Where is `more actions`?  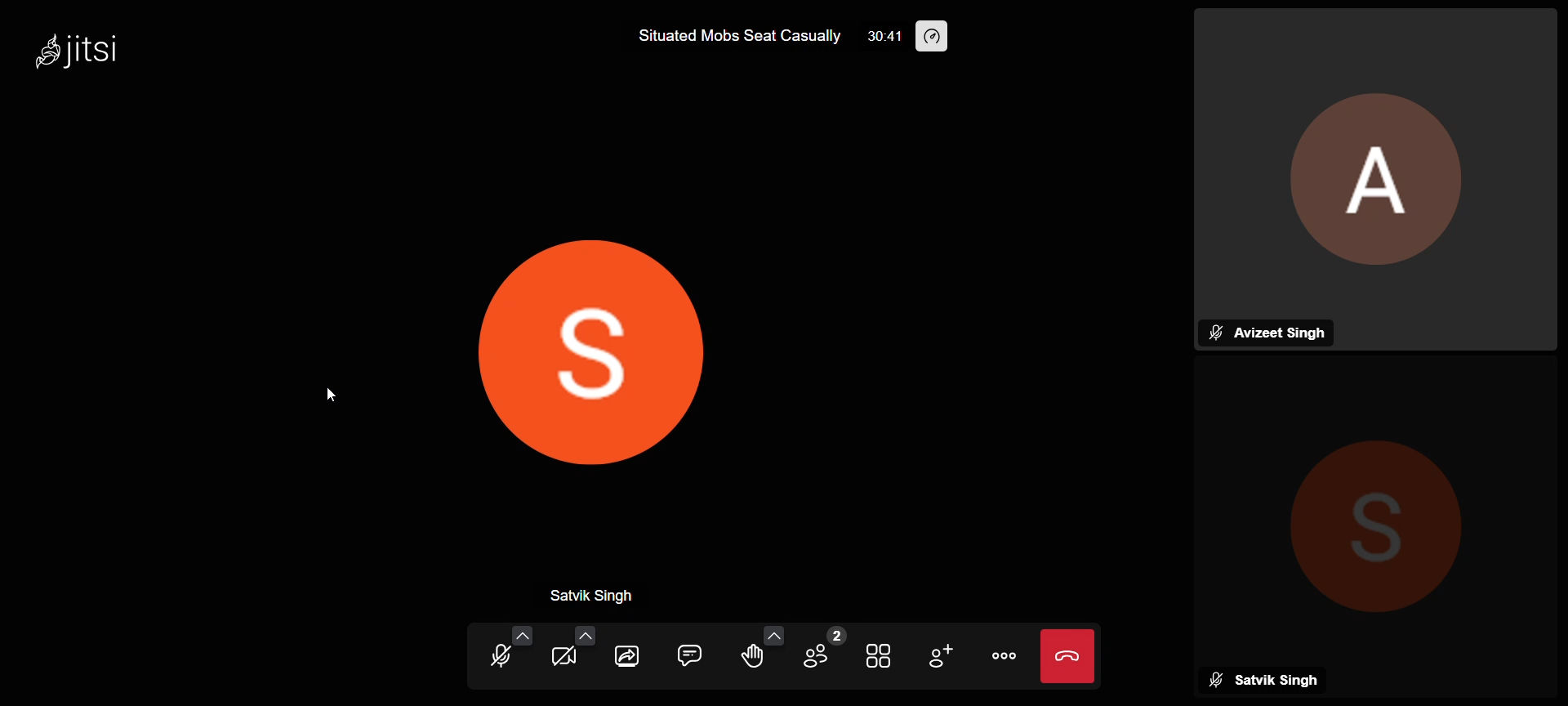 more actions is located at coordinates (1005, 653).